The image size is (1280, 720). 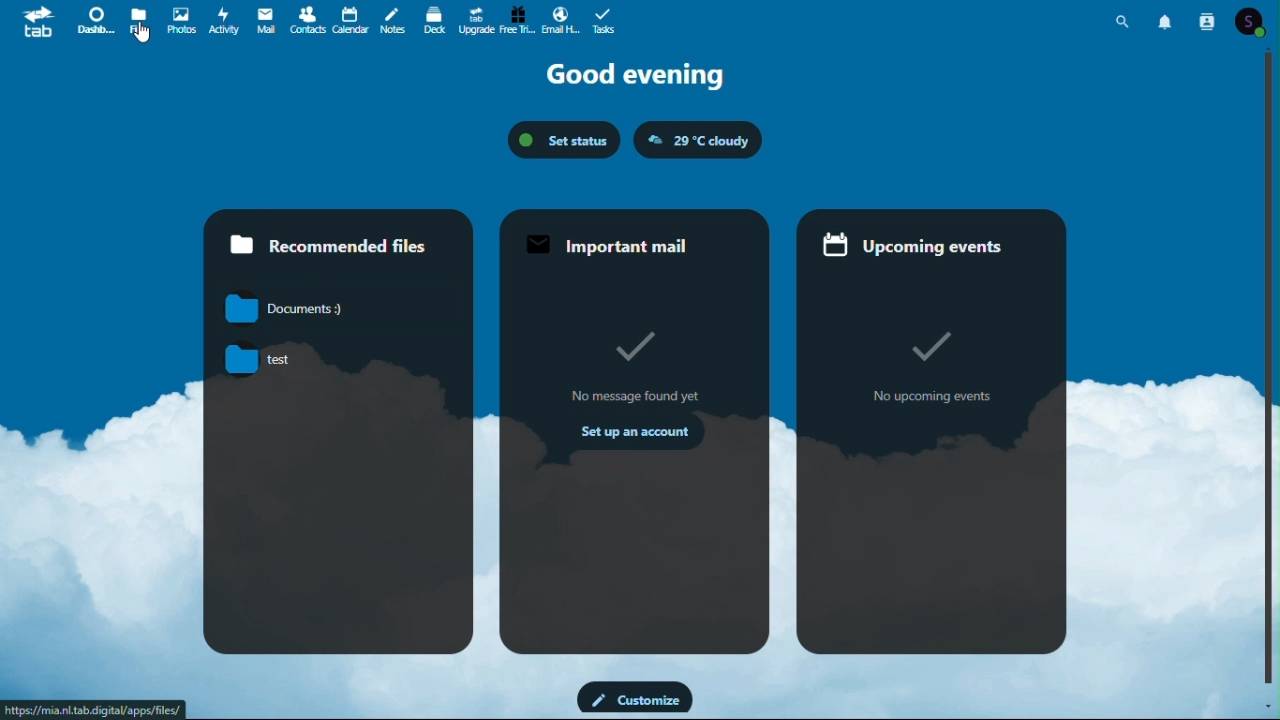 What do you see at coordinates (562, 141) in the screenshot?
I see `status` at bounding box center [562, 141].